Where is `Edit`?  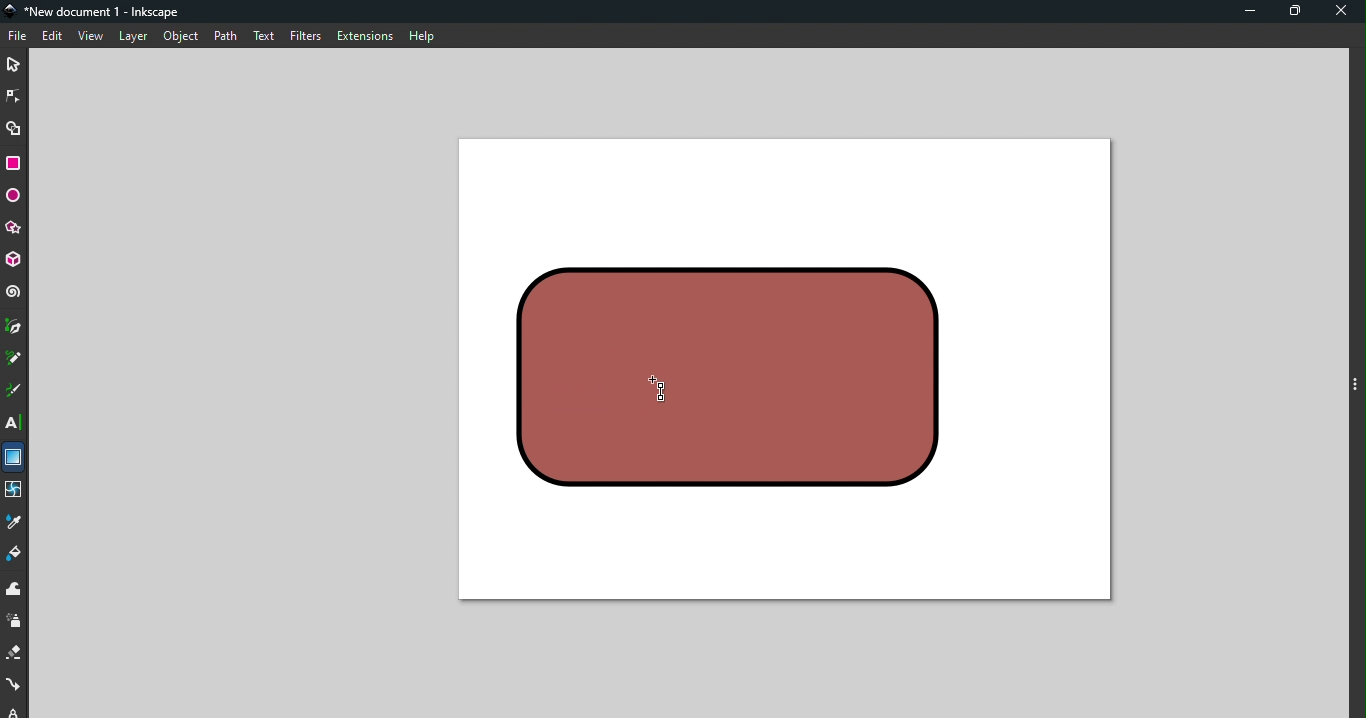 Edit is located at coordinates (54, 37).